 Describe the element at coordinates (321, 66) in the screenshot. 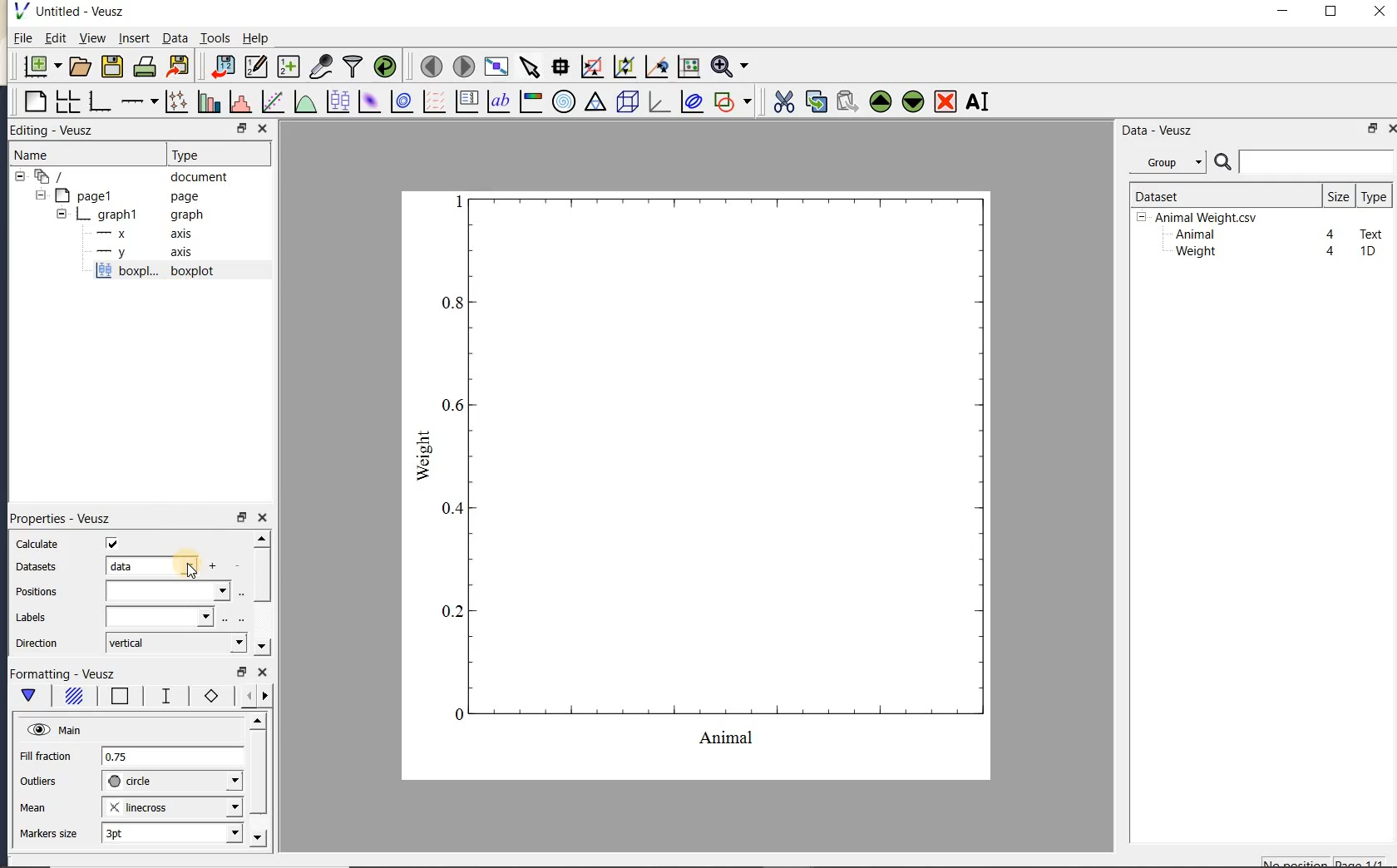

I see `capture remote data` at that location.